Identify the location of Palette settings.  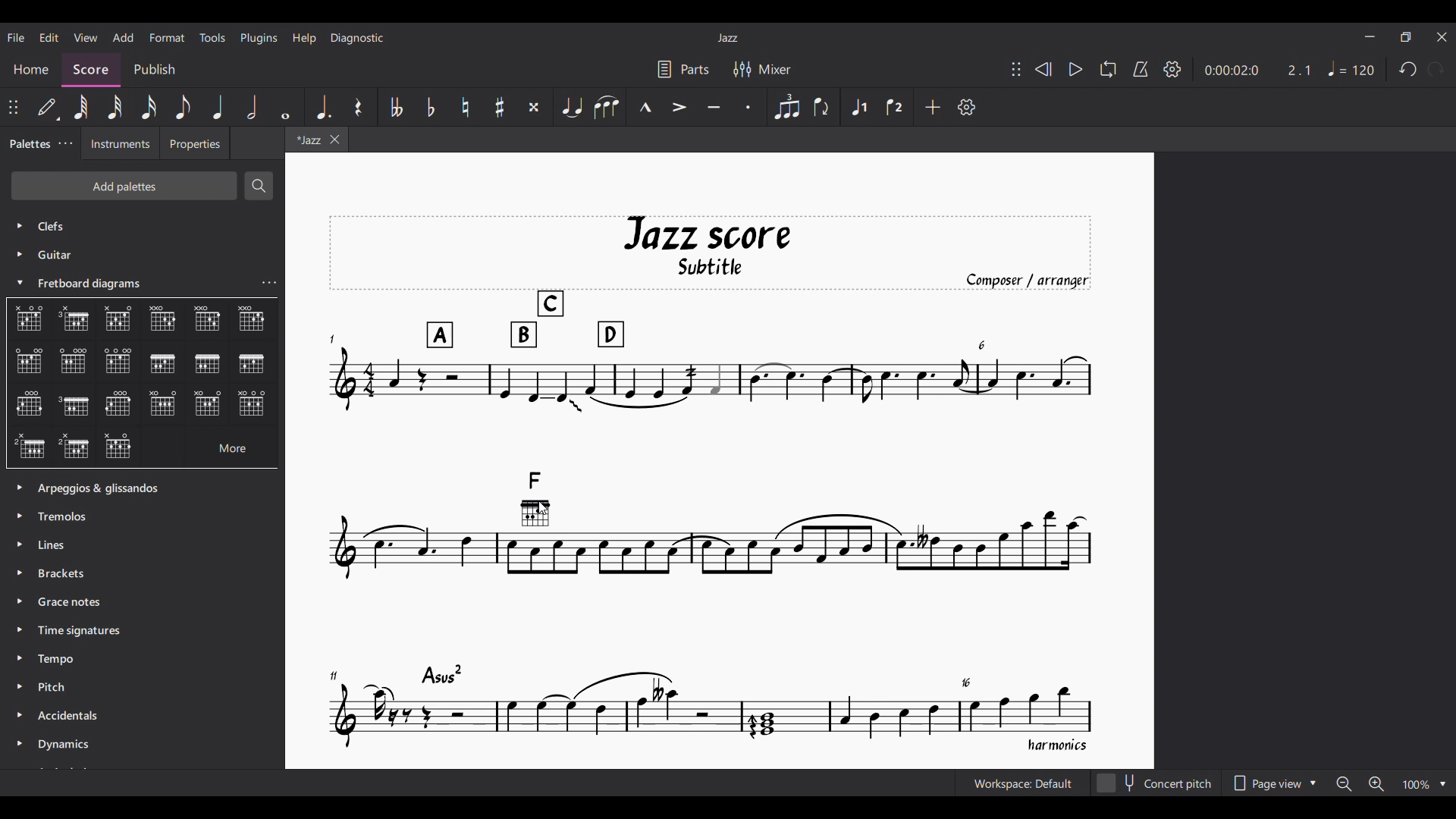
(66, 143).